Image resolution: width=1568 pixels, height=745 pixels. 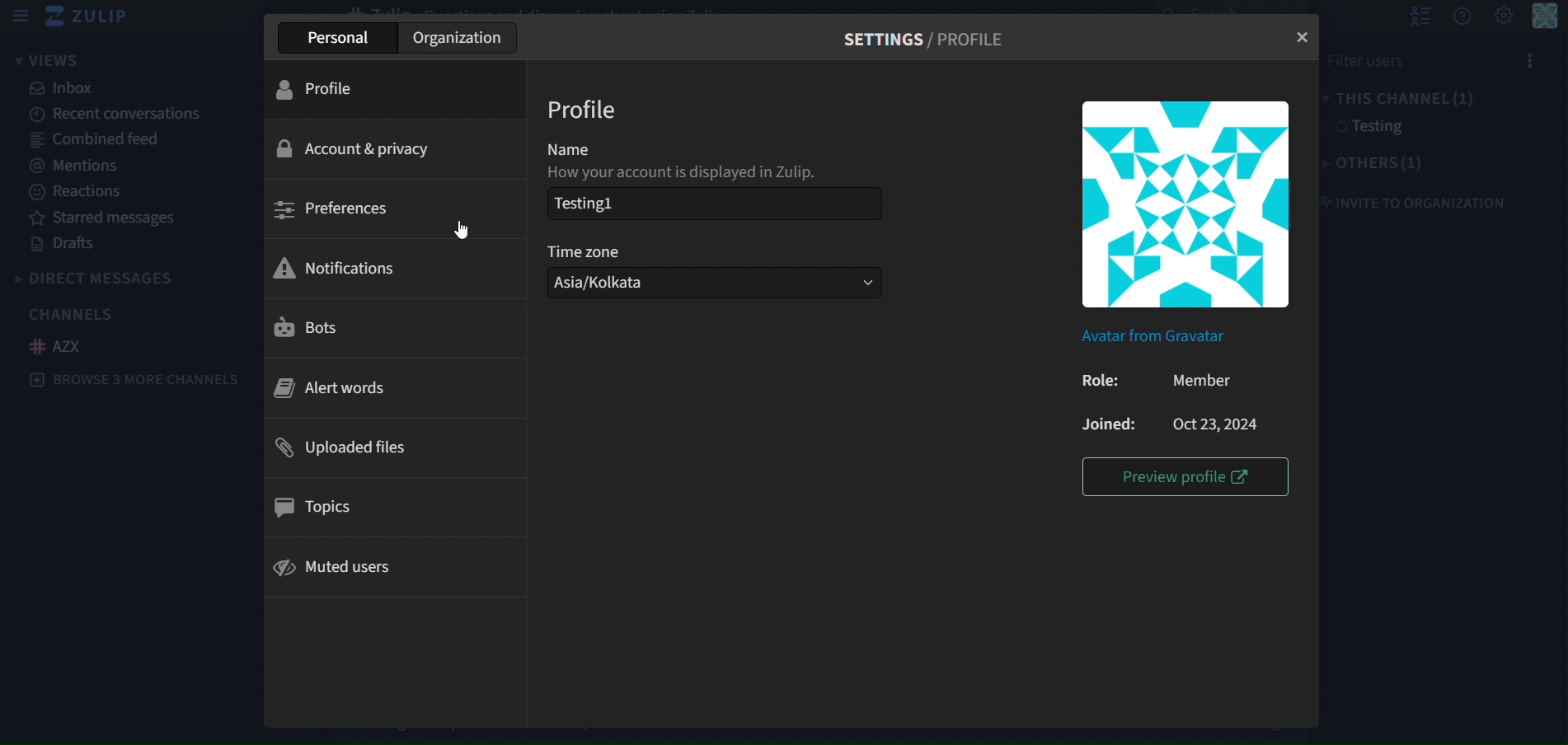 I want to click on Avatar from Gravatat, so click(x=1149, y=335).